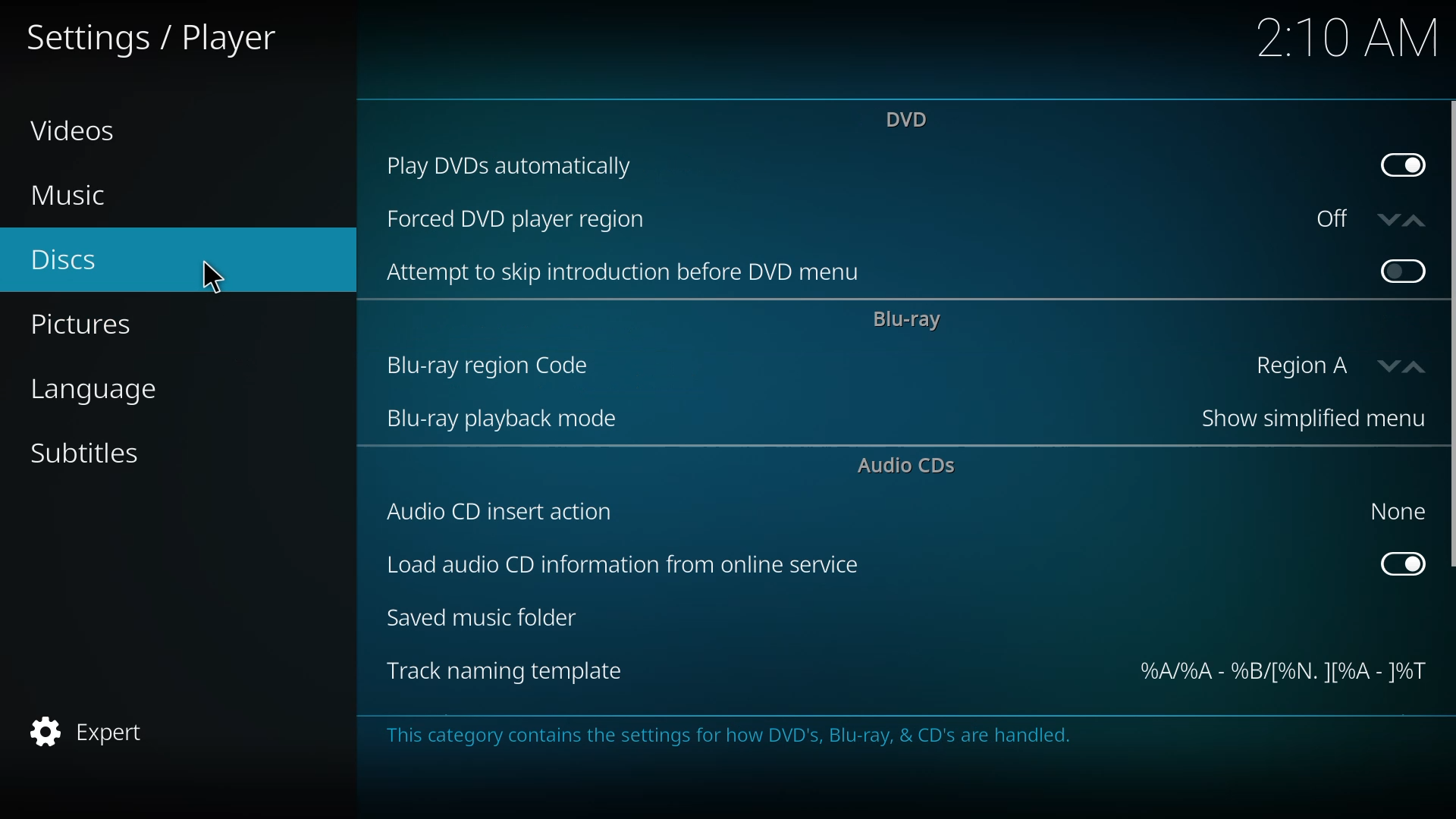 The width and height of the screenshot is (1456, 819). What do you see at coordinates (1398, 270) in the screenshot?
I see `click to enable` at bounding box center [1398, 270].